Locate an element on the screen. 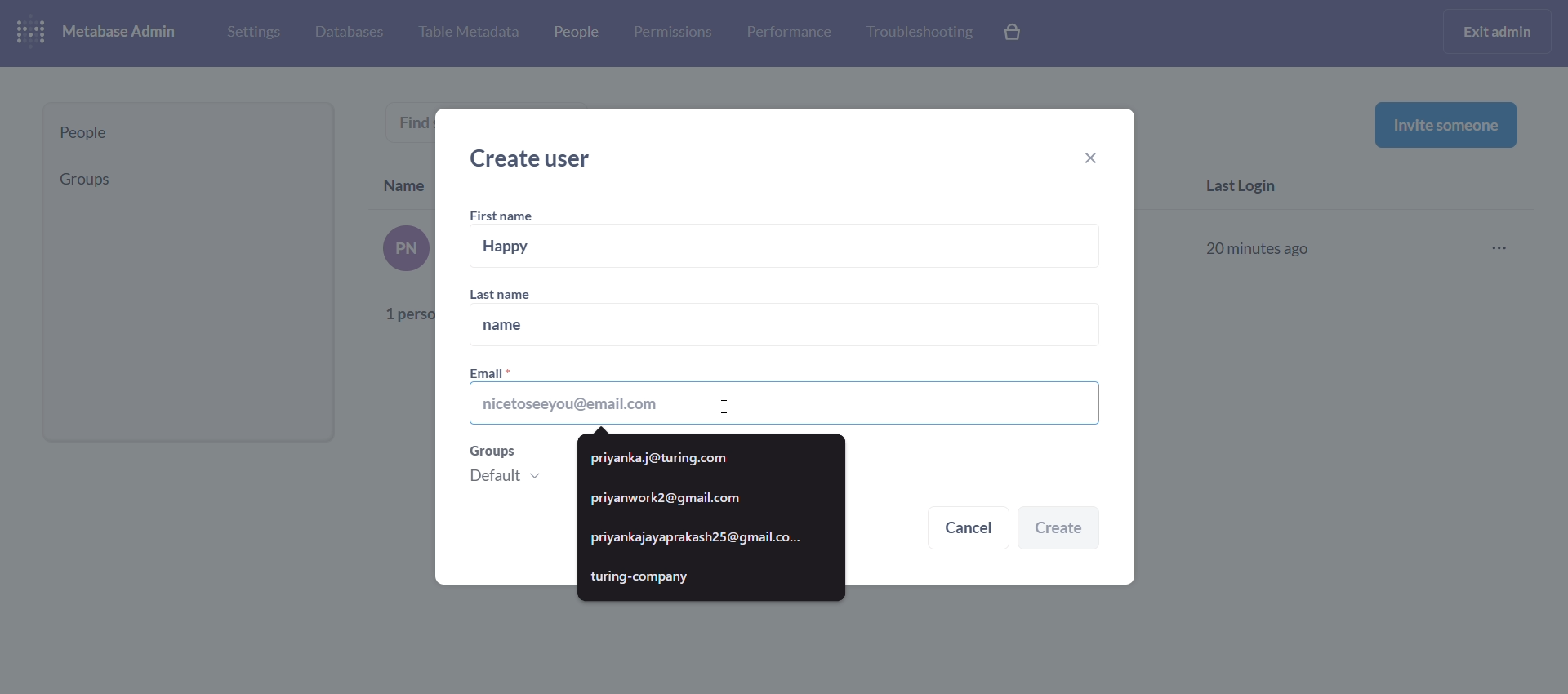 This screenshot has width=1568, height=694. explore paid features is located at coordinates (1014, 33).